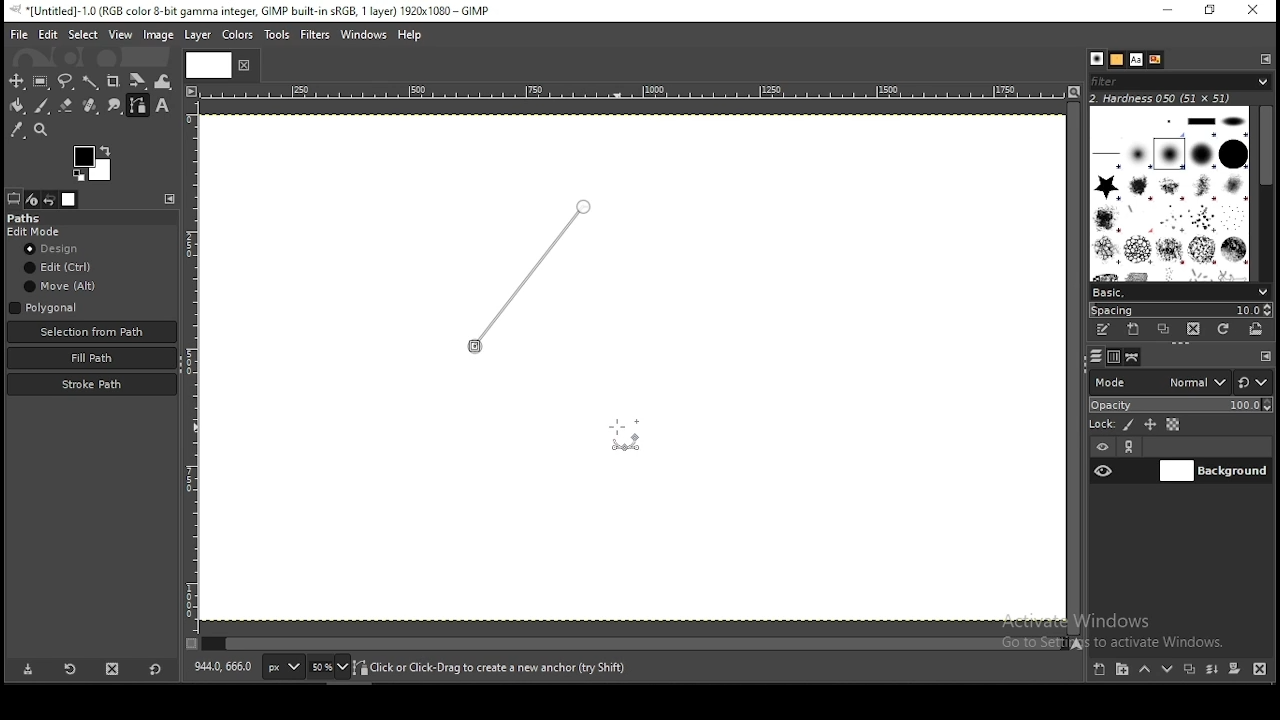 The height and width of the screenshot is (720, 1280). I want to click on configure this tab, so click(1262, 60).